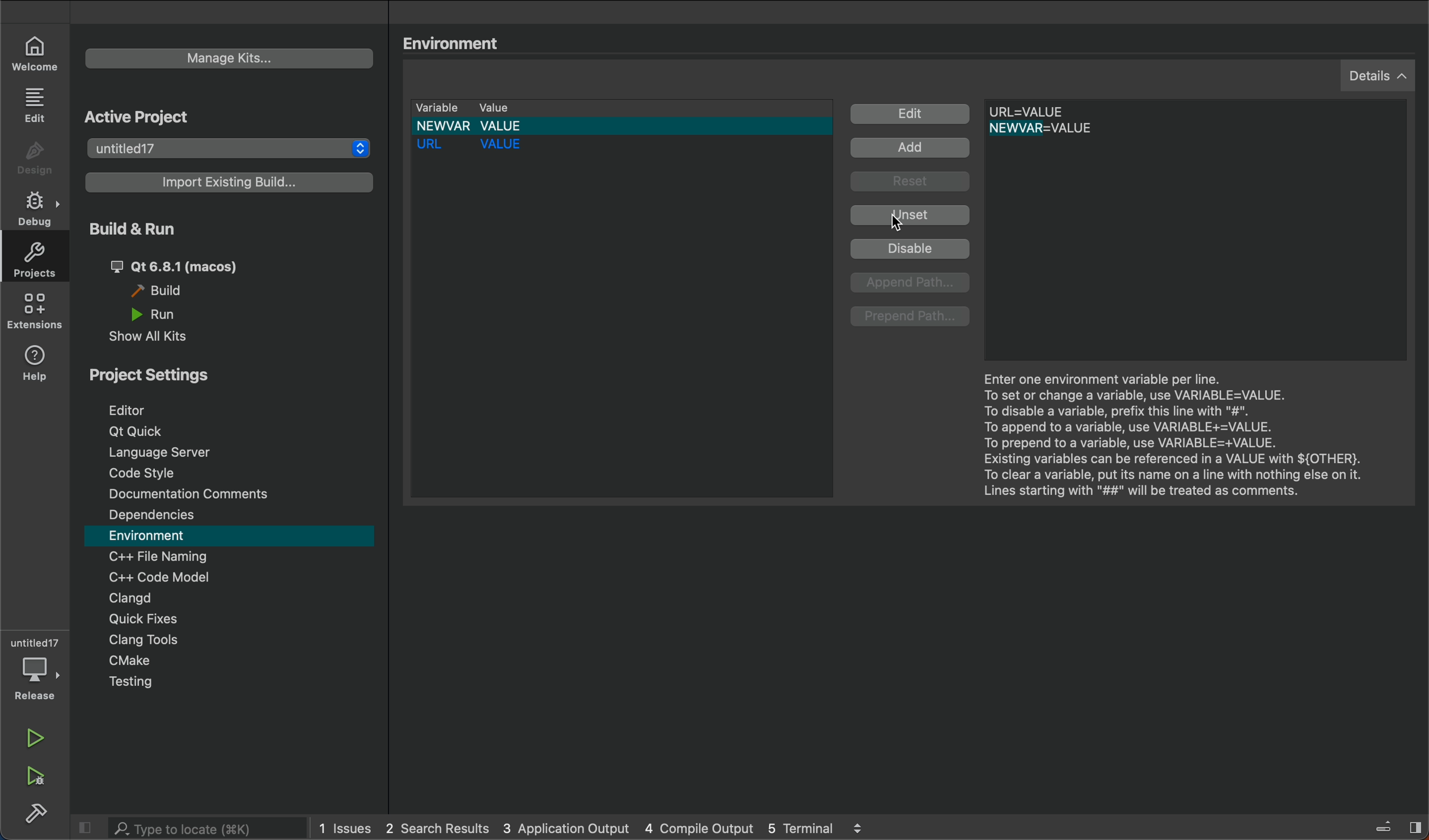 Image resolution: width=1429 pixels, height=840 pixels. What do you see at coordinates (33, 50) in the screenshot?
I see `welcome` at bounding box center [33, 50].